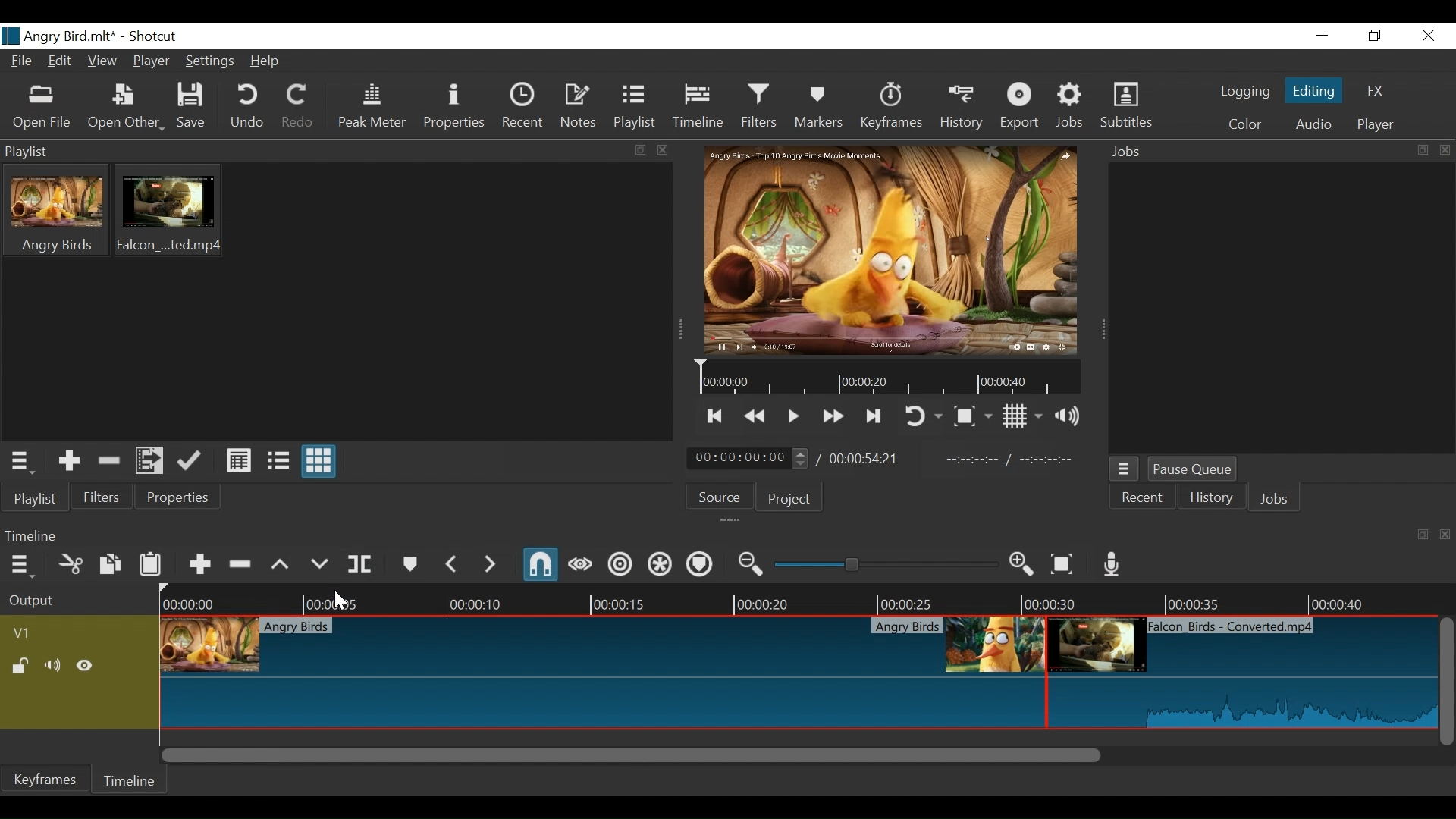 The height and width of the screenshot is (819, 1456). What do you see at coordinates (962, 107) in the screenshot?
I see `History` at bounding box center [962, 107].